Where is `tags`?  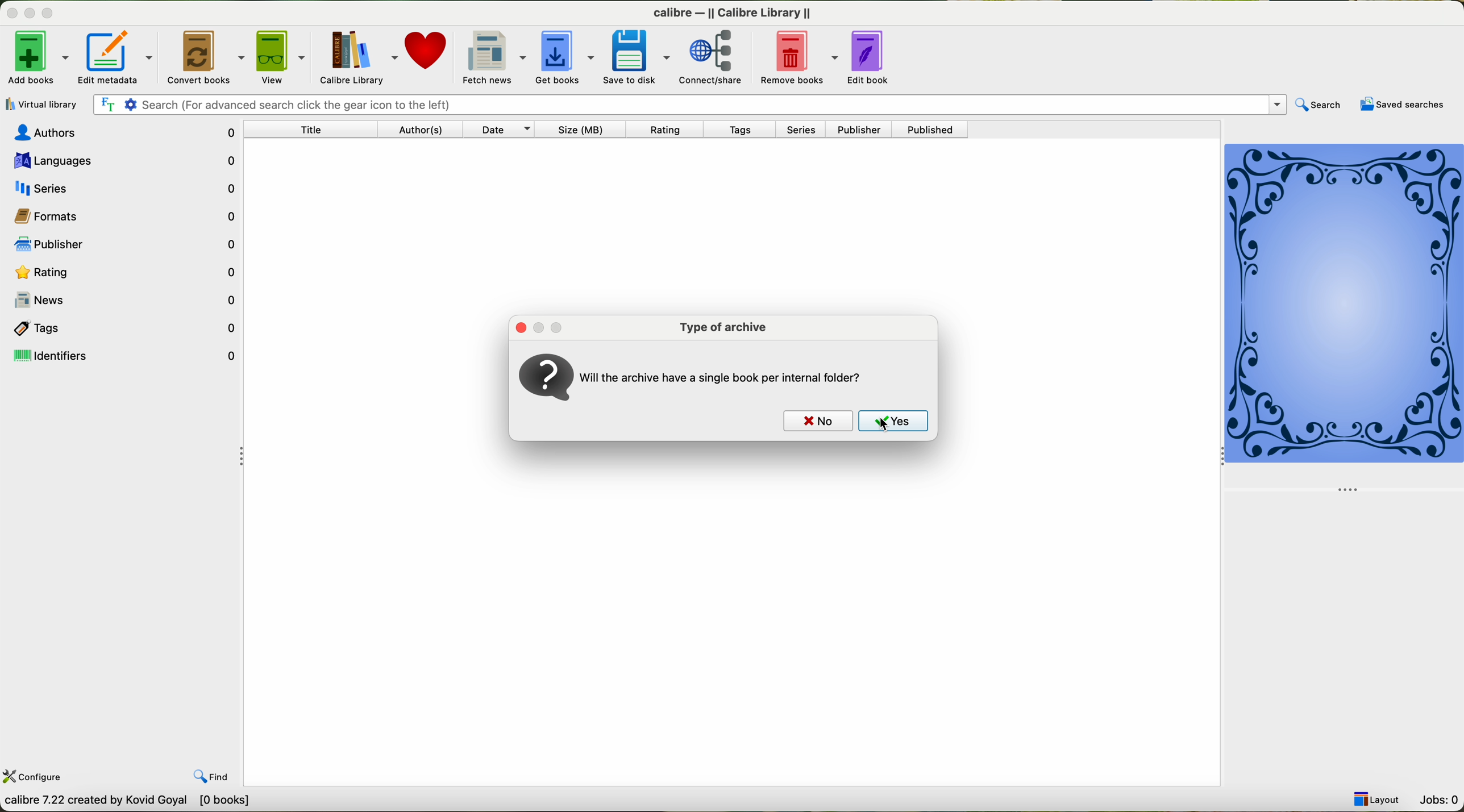
tags is located at coordinates (123, 328).